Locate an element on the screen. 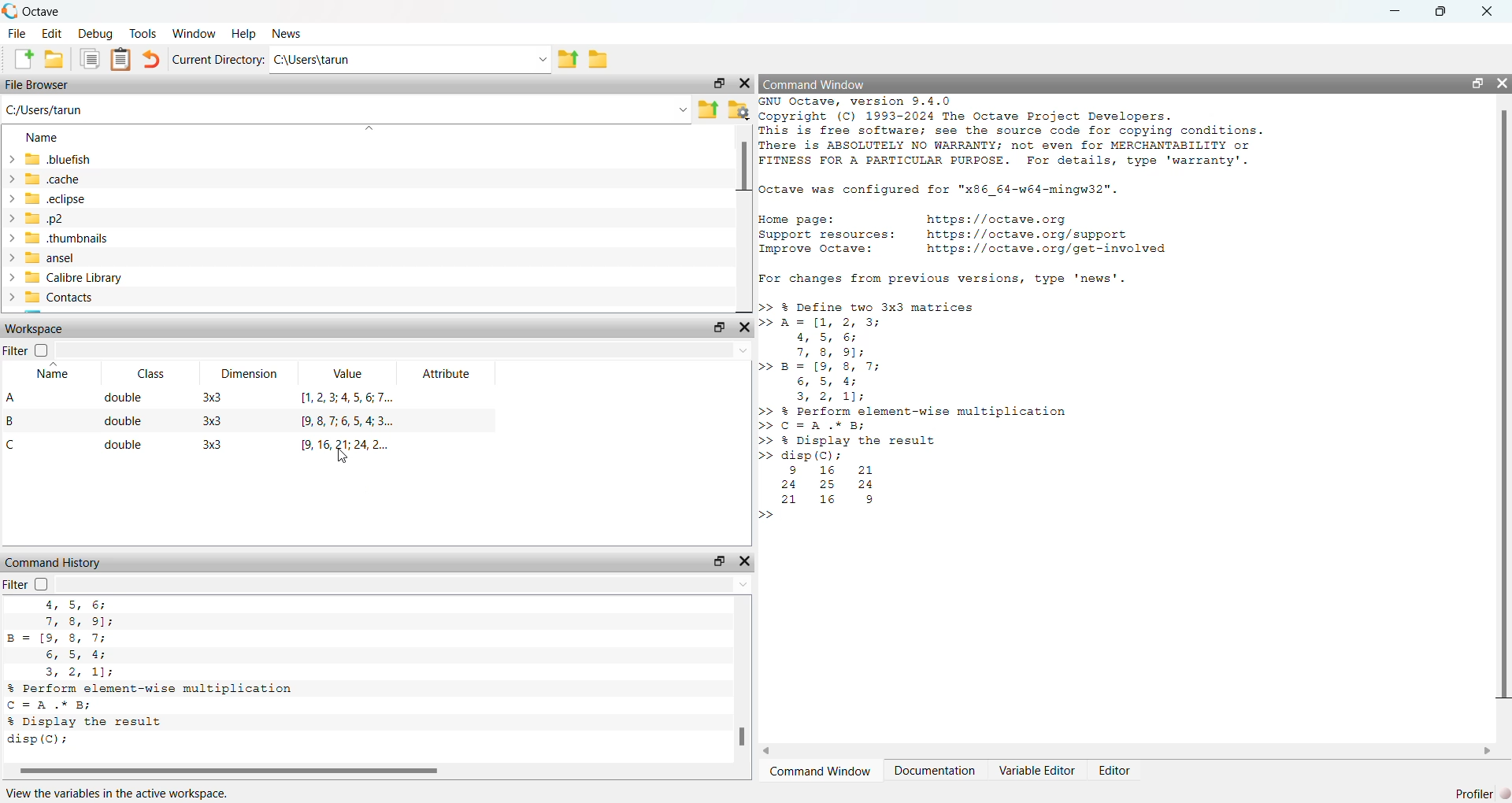  Octave is located at coordinates (31, 12).